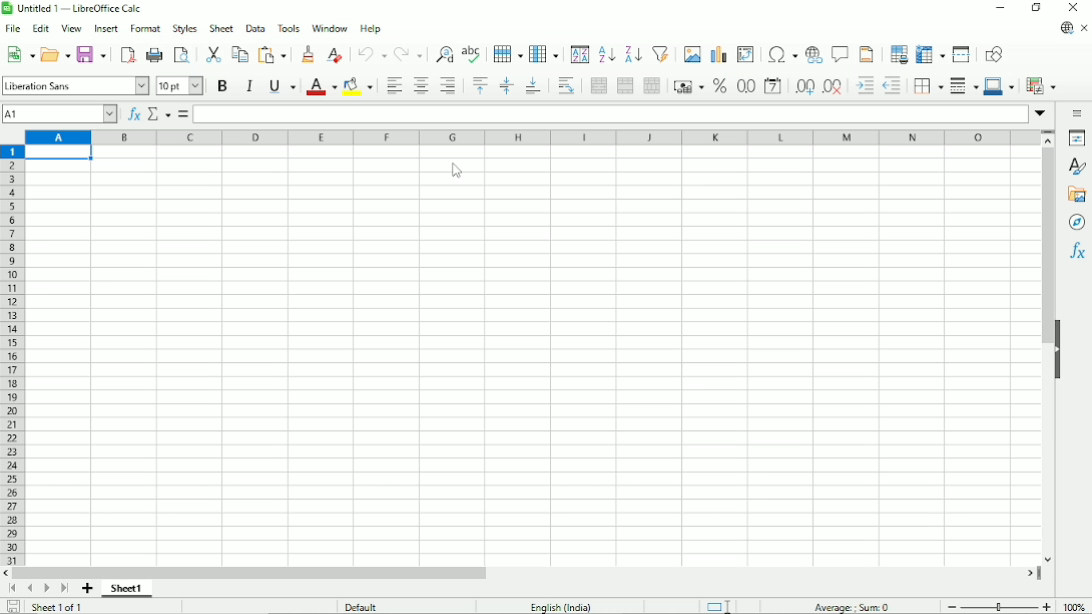  What do you see at coordinates (1042, 114) in the screenshot?
I see `Expand formula bar` at bounding box center [1042, 114].